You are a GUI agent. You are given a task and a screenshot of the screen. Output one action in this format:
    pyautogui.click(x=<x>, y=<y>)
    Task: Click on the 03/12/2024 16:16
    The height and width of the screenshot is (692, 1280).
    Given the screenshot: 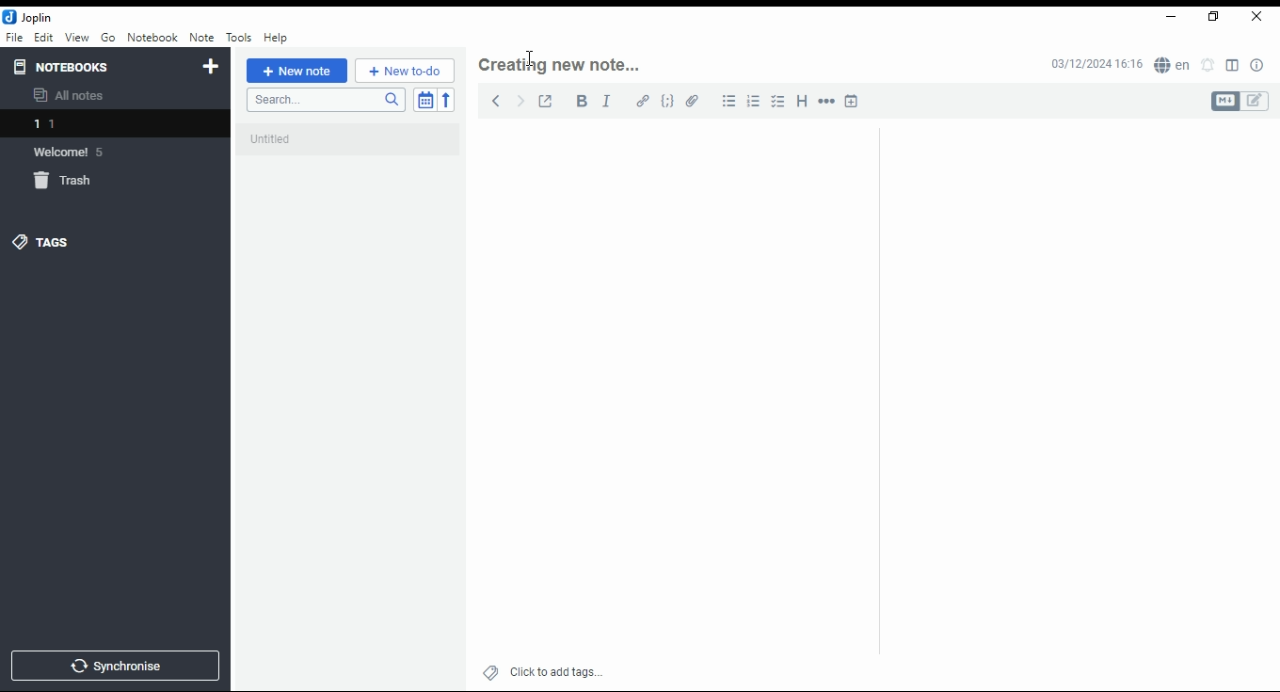 What is the action you would take?
    pyautogui.click(x=1096, y=64)
    